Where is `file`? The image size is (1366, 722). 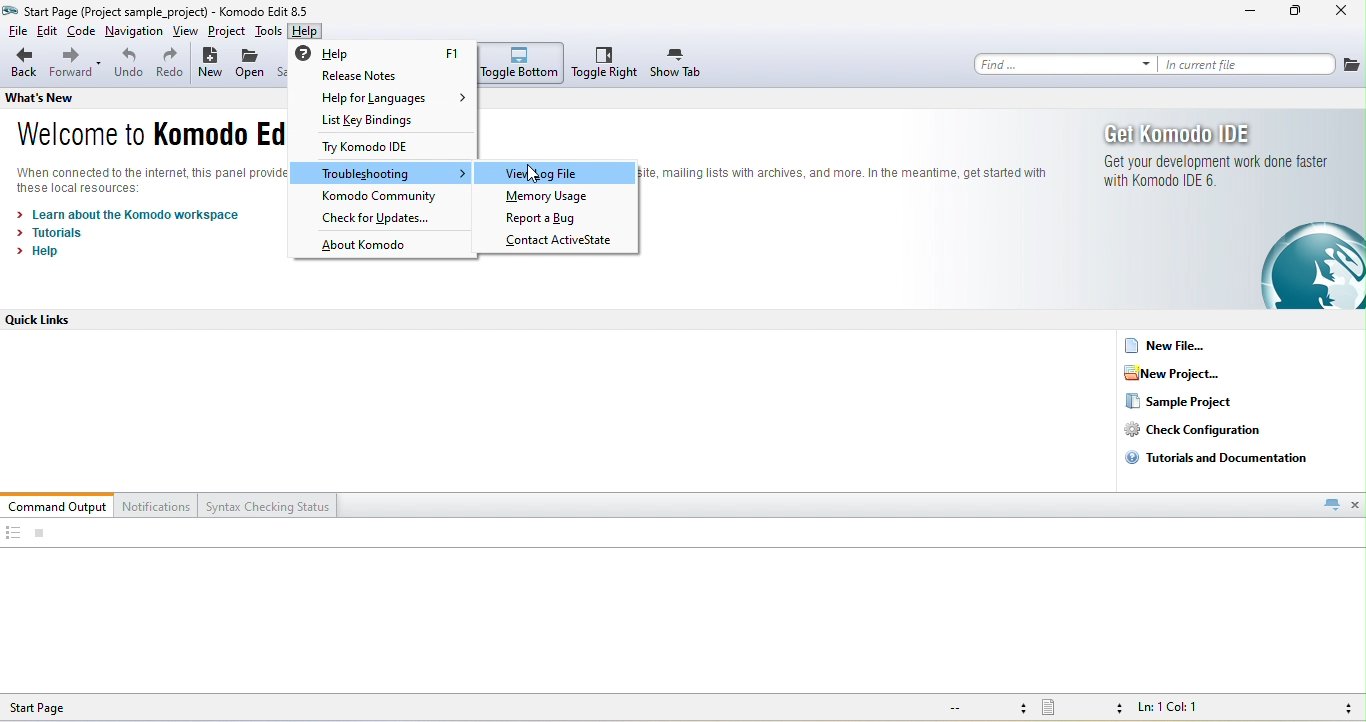 file is located at coordinates (1352, 64).